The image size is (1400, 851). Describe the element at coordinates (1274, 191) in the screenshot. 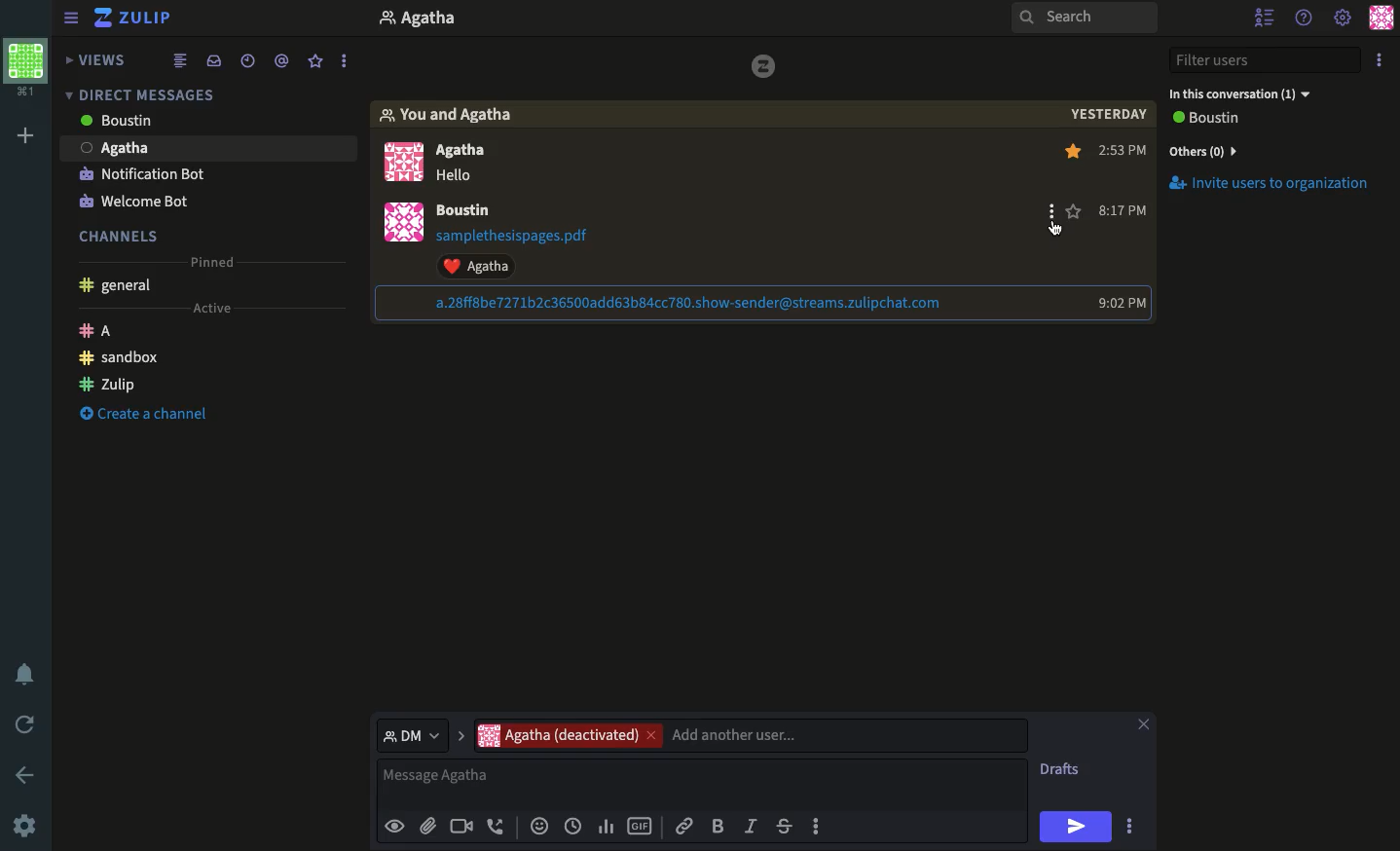

I see `invite users` at that location.